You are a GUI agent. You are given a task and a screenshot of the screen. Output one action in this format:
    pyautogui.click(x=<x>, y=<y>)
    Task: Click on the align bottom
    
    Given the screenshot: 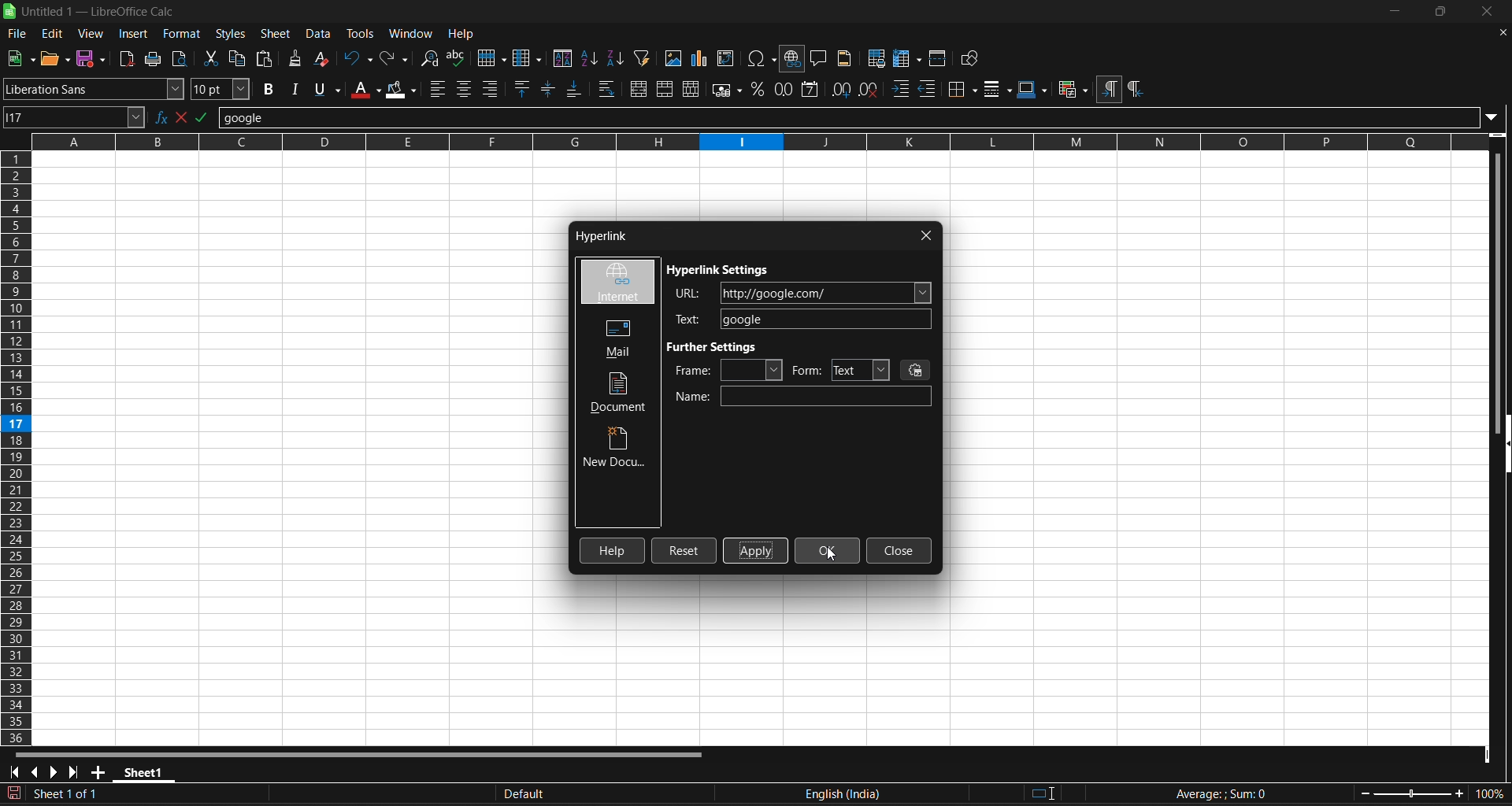 What is the action you would take?
    pyautogui.click(x=574, y=89)
    